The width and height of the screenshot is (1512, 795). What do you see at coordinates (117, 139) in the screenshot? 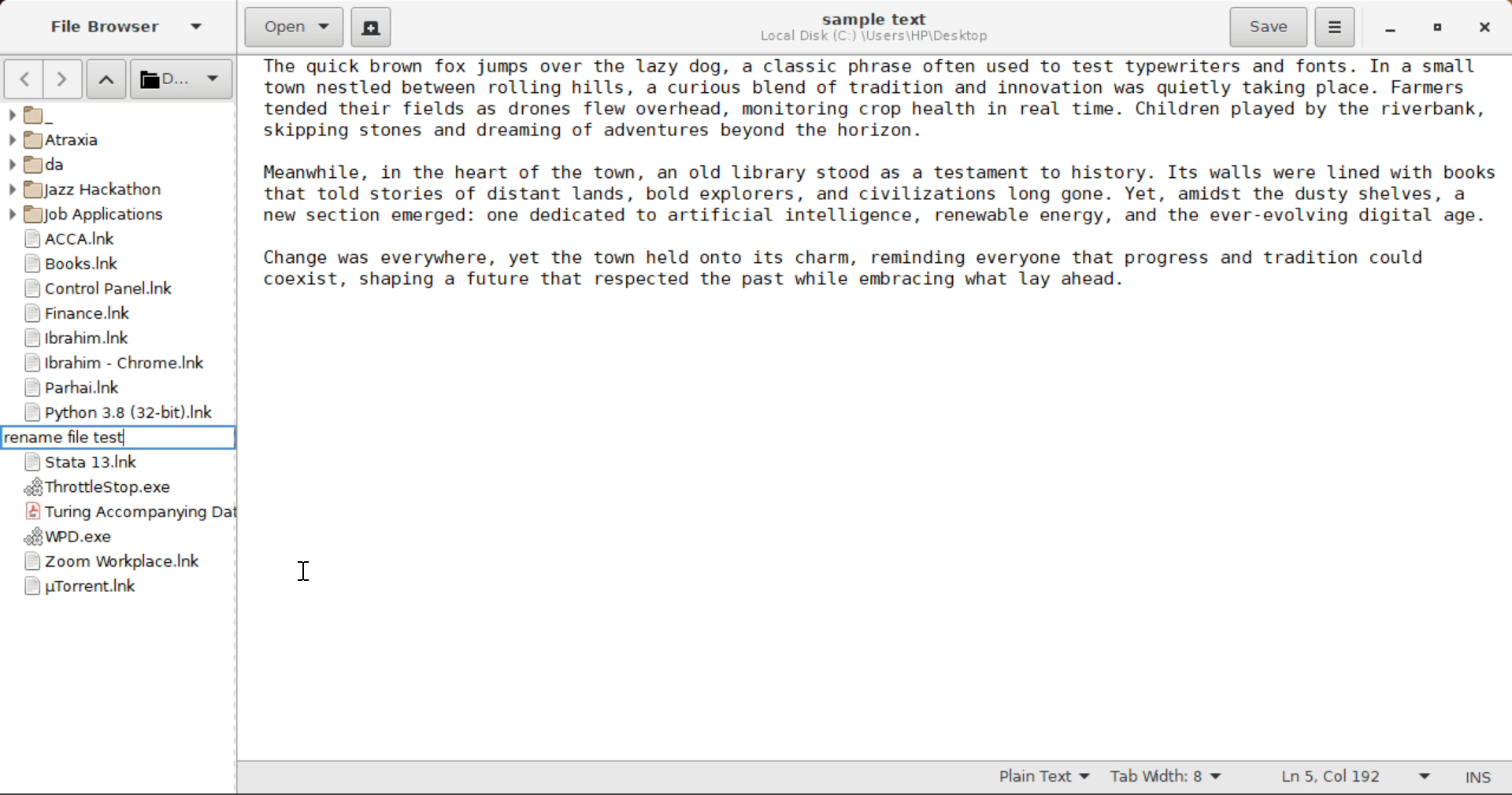
I see `Atraxia Folder` at bounding box center [117, 139].